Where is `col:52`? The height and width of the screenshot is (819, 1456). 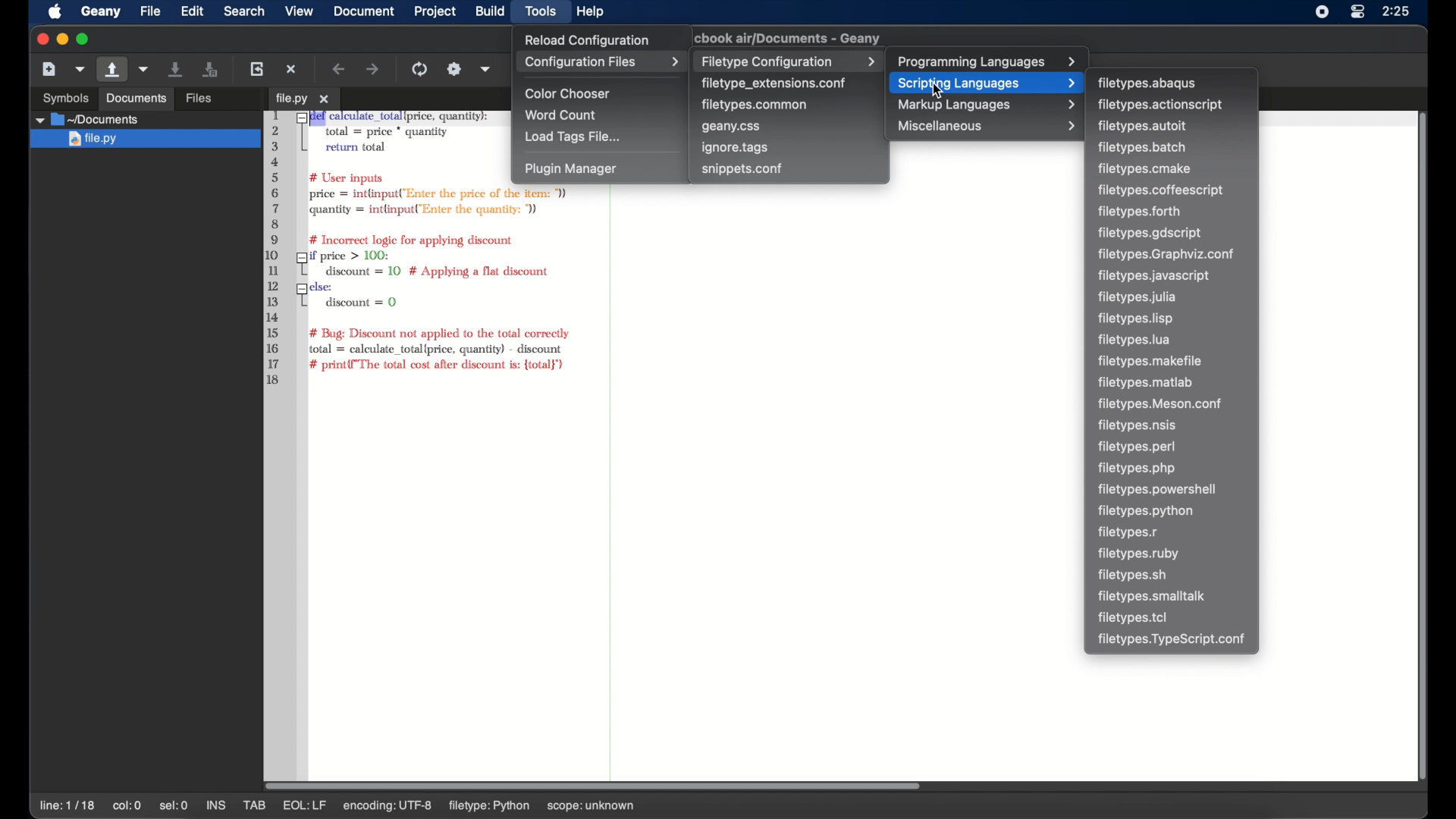
col:52 is located at coordinates (129, 807).